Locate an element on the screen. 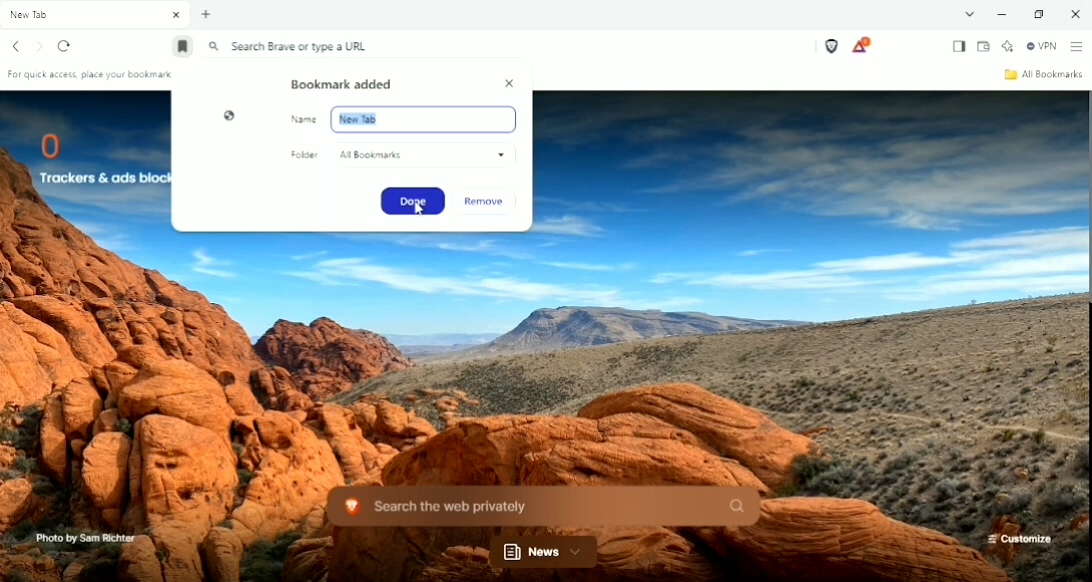  Search Brave or type a URL is located at coordinates (290, 47).